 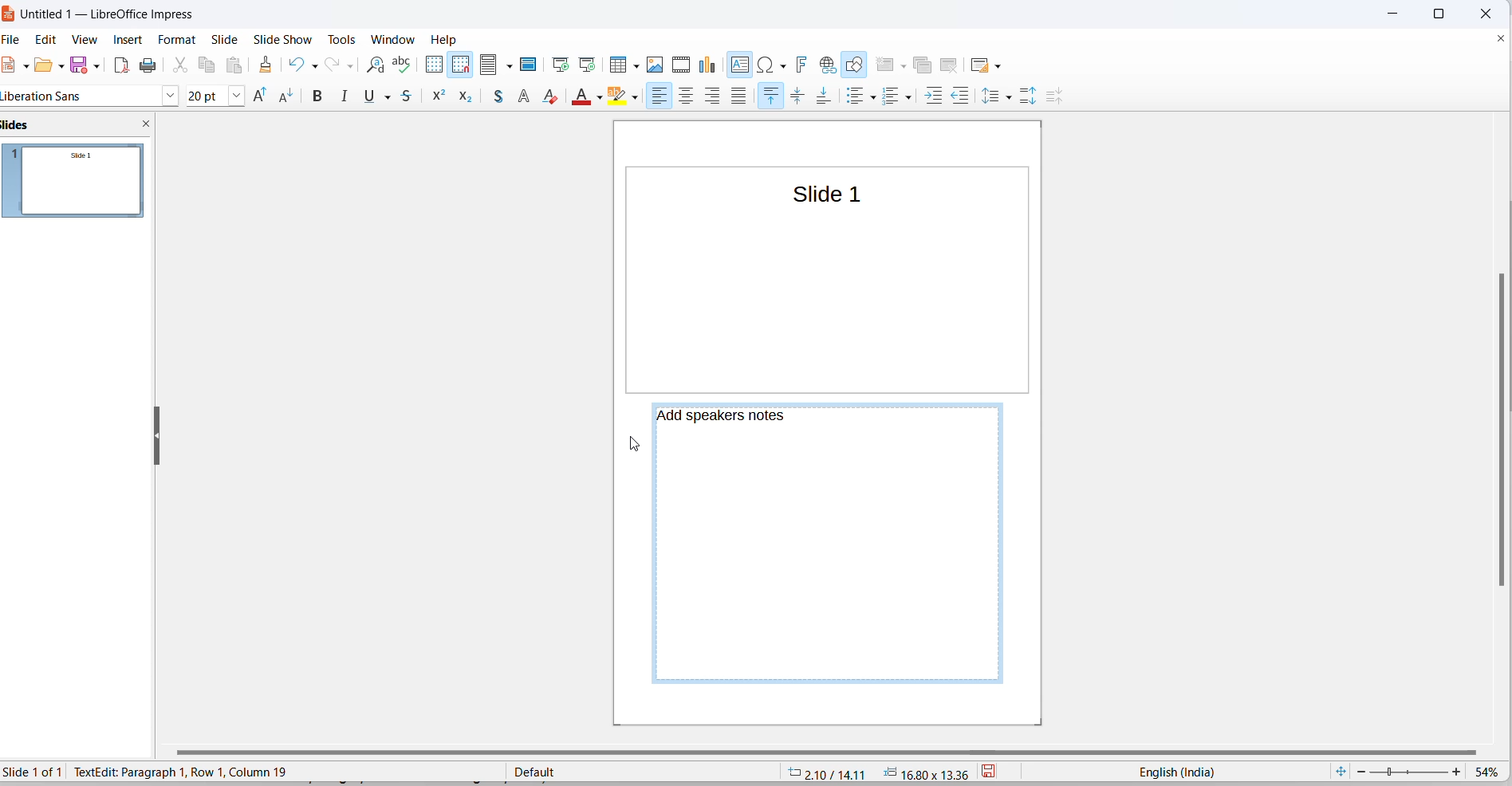 What do you see at coordinates (226, 39) in the screenshot?
I see `slide` at bounding box center [226, 39].